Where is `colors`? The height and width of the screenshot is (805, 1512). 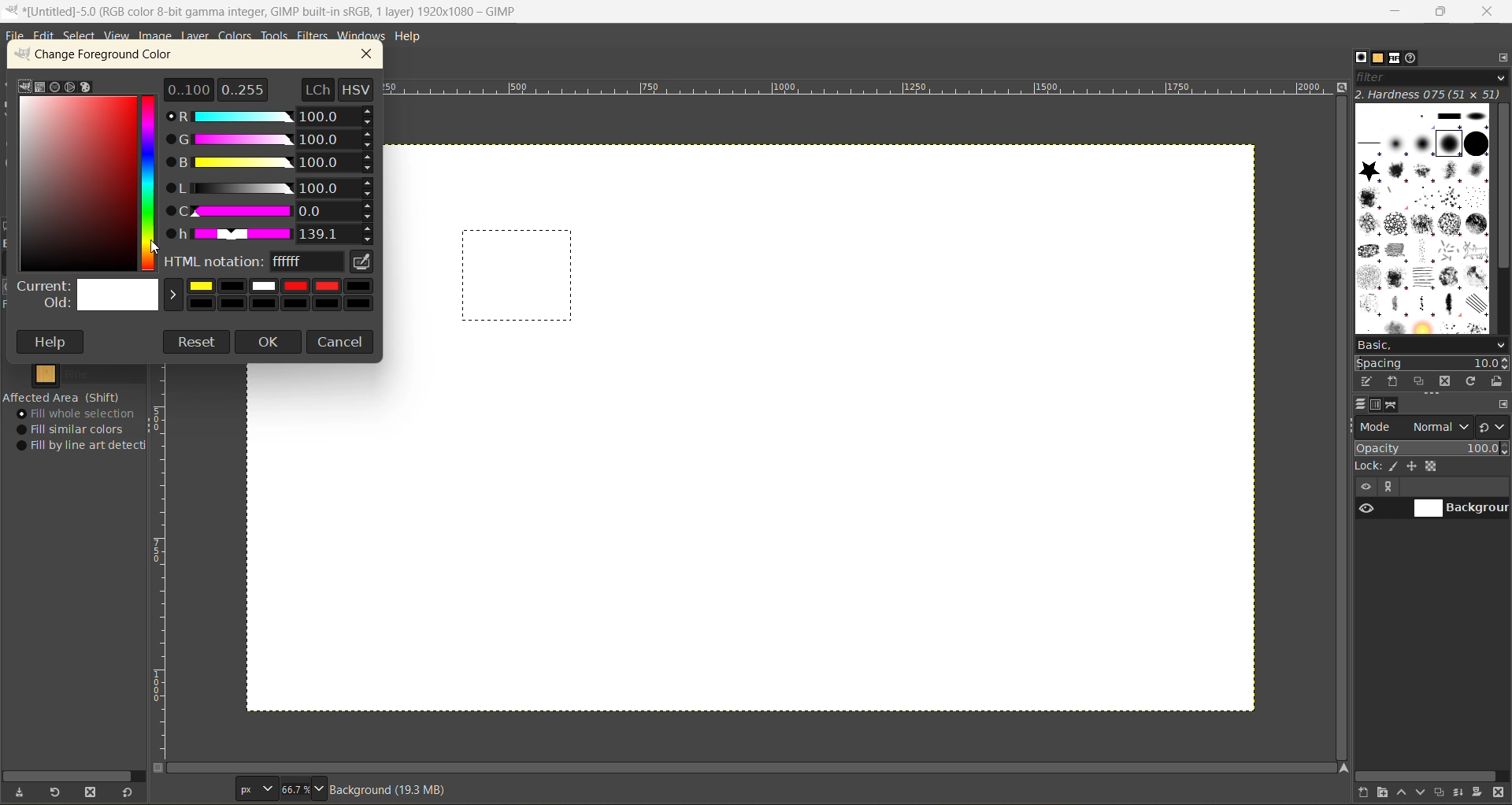
colors is located at coordinates (237, 37).